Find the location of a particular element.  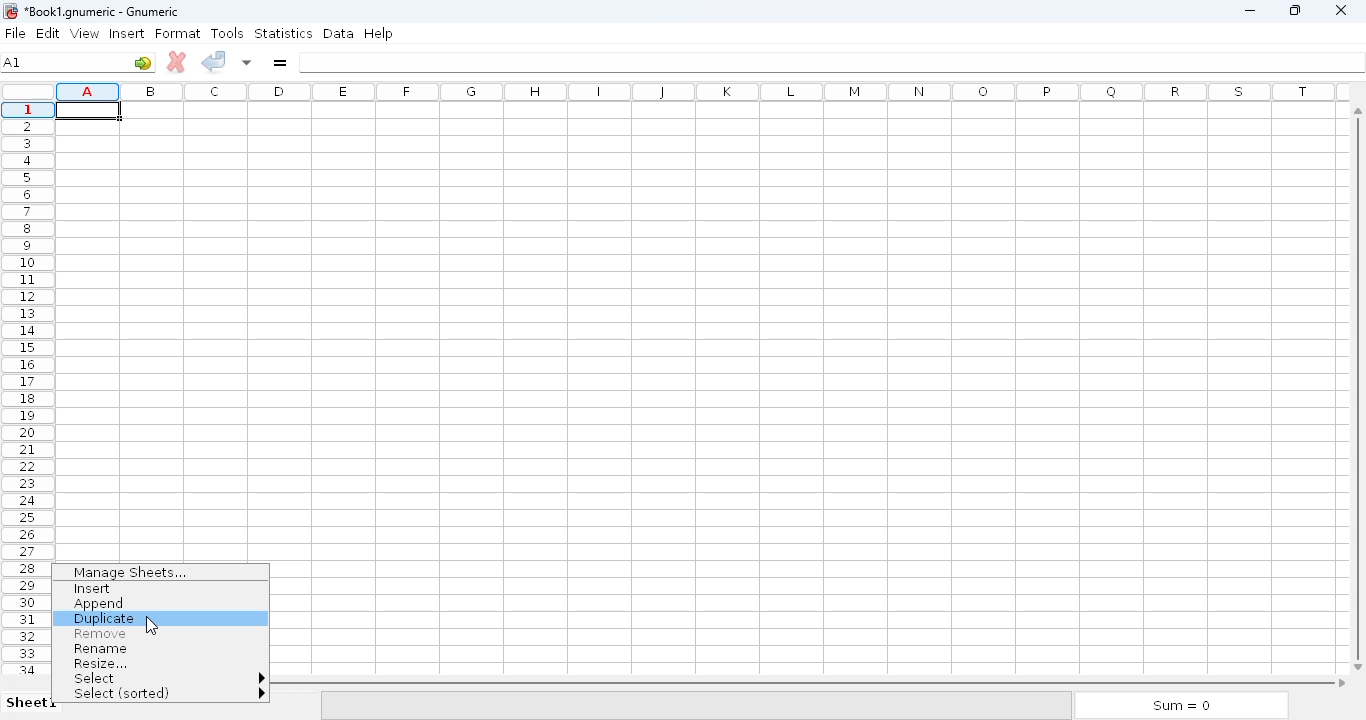

select is located at coordinates (166, 678).